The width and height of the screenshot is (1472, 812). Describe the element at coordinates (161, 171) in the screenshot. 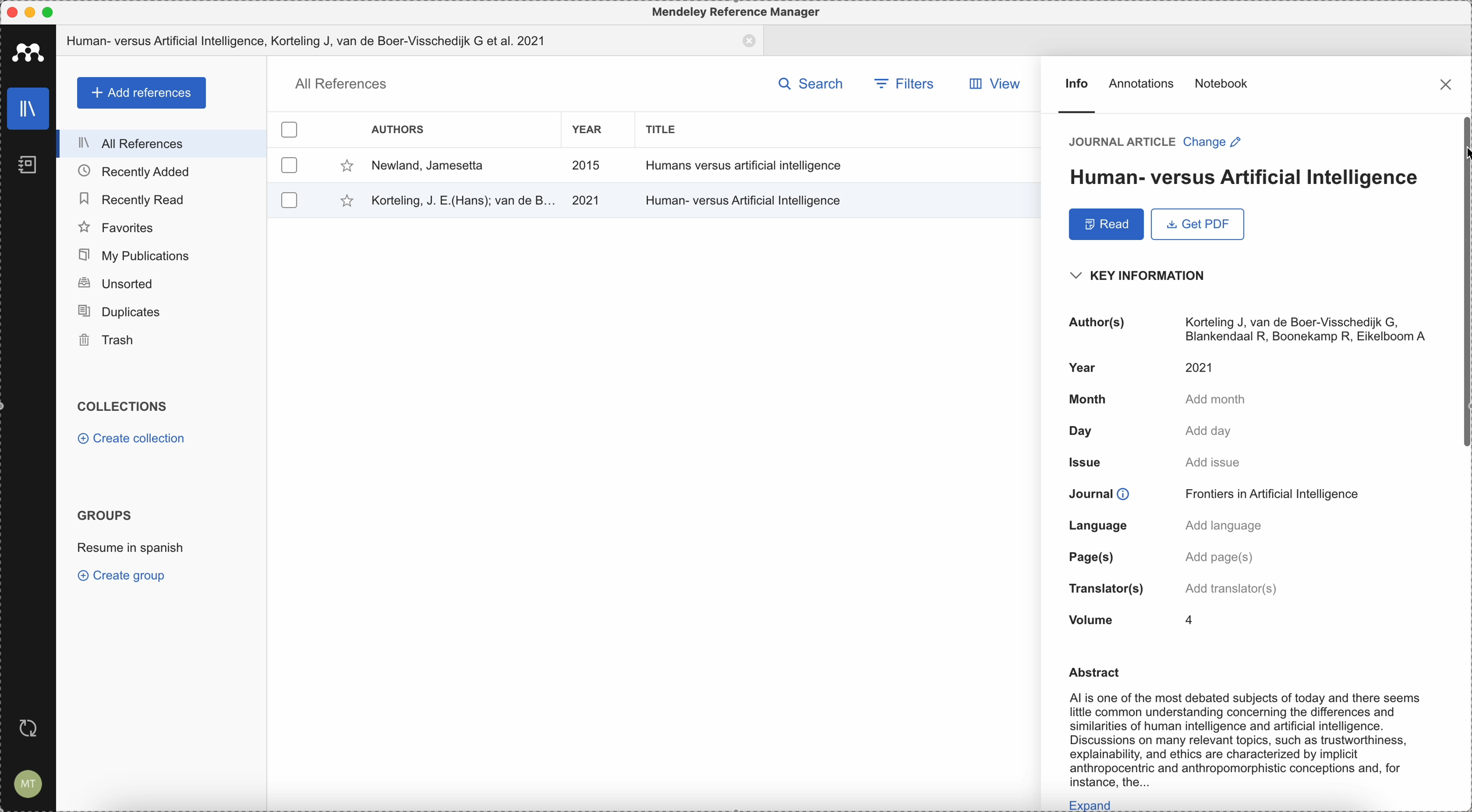

I see `recently added` at that location.